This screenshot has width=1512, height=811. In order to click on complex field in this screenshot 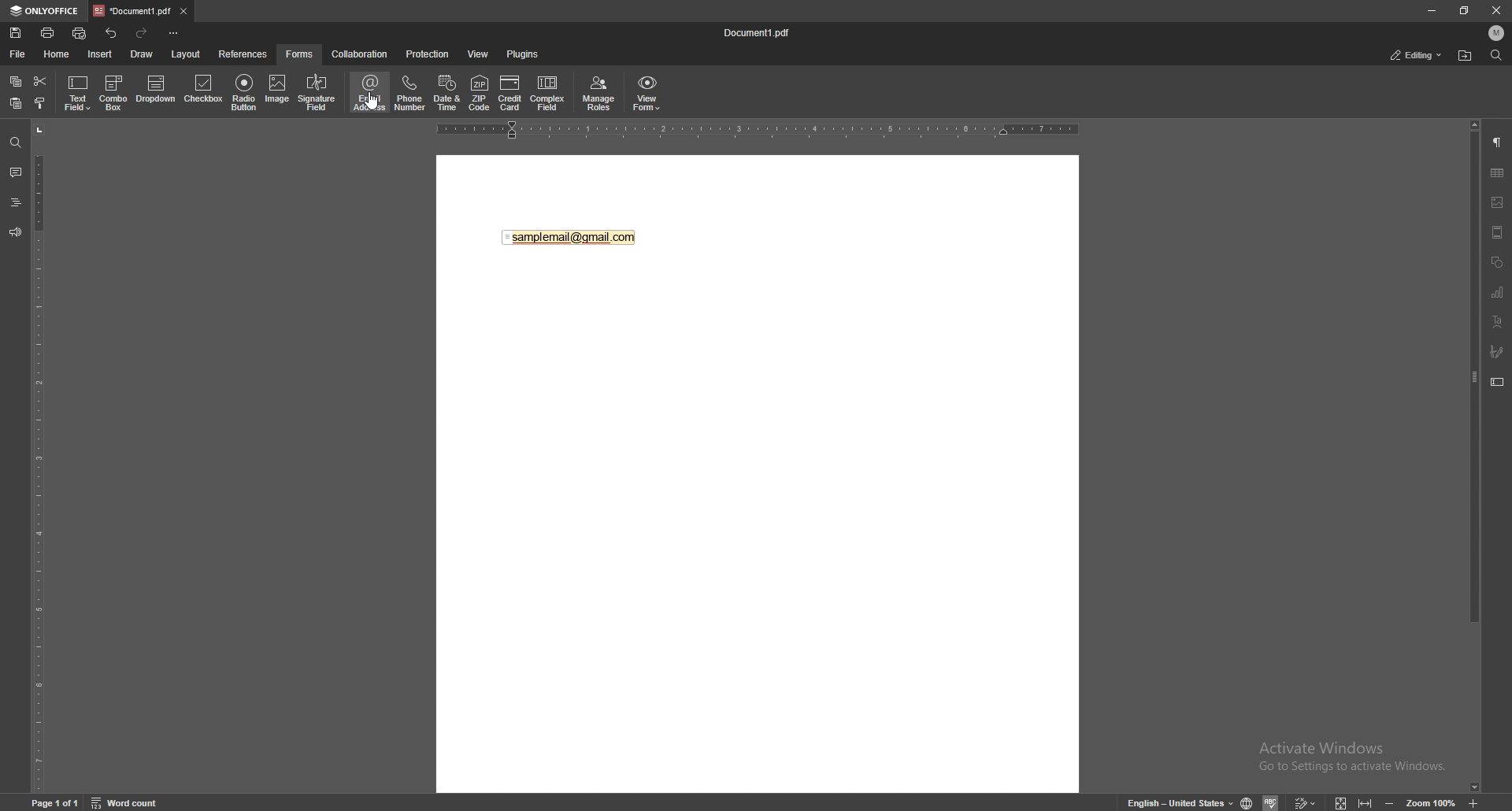, I will do `click(548, 93)`.